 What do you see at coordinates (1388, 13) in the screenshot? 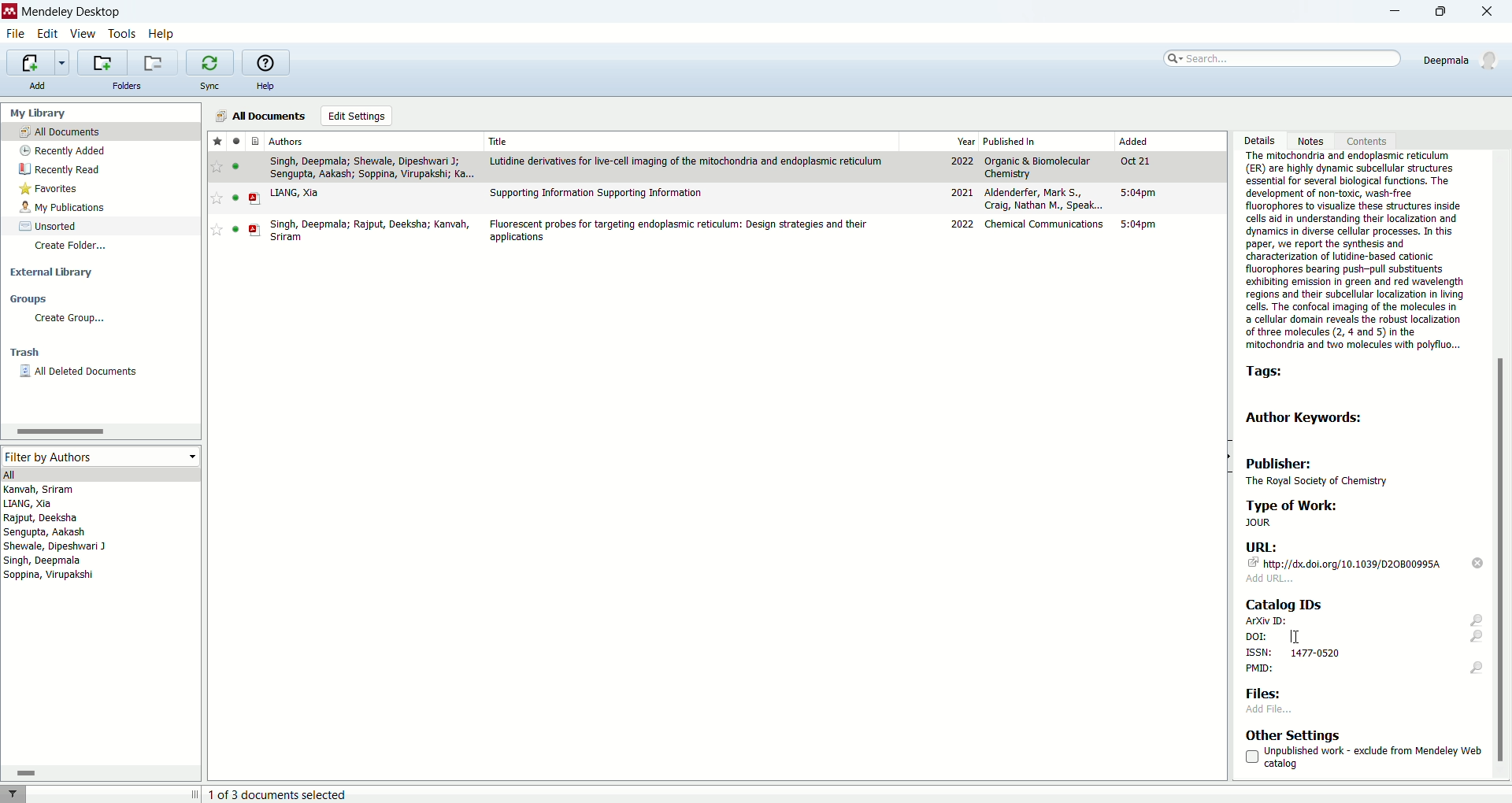
I see `minimize` at bounding box center [1388, 13].